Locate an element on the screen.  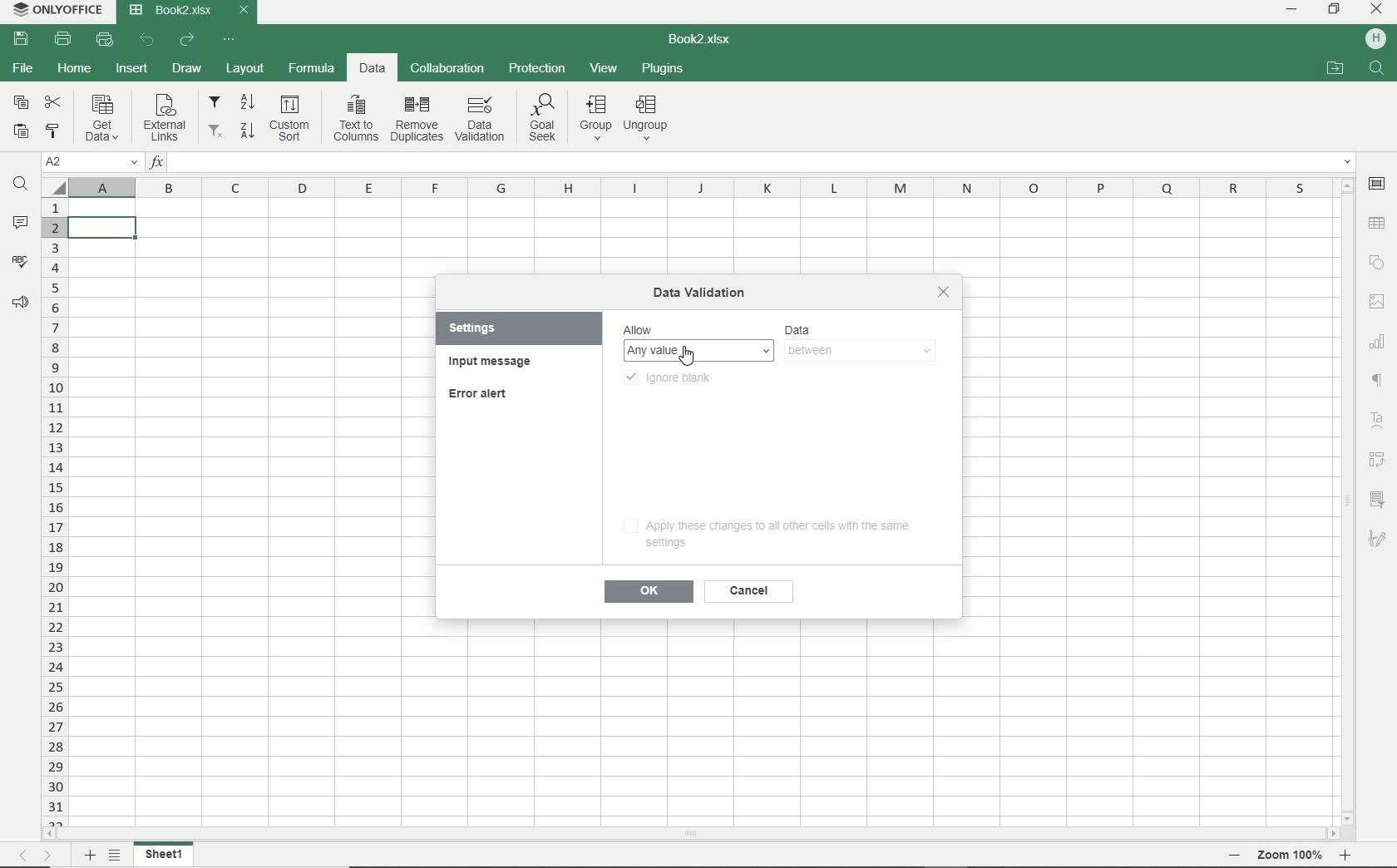
NAME MANAGER is located at coordinates (90, 163).